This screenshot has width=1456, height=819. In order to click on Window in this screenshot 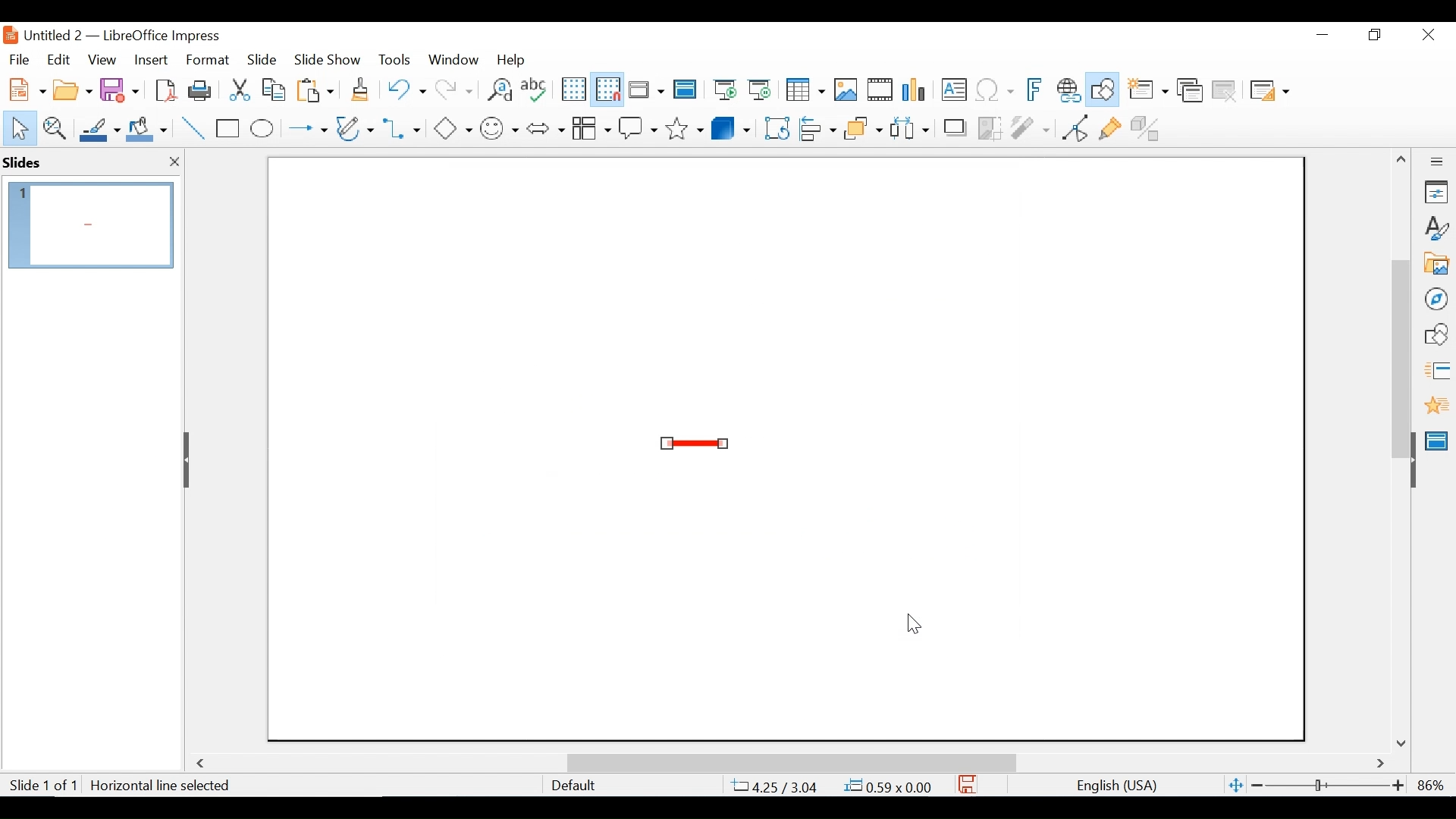, I will do `click(453, 59)`.